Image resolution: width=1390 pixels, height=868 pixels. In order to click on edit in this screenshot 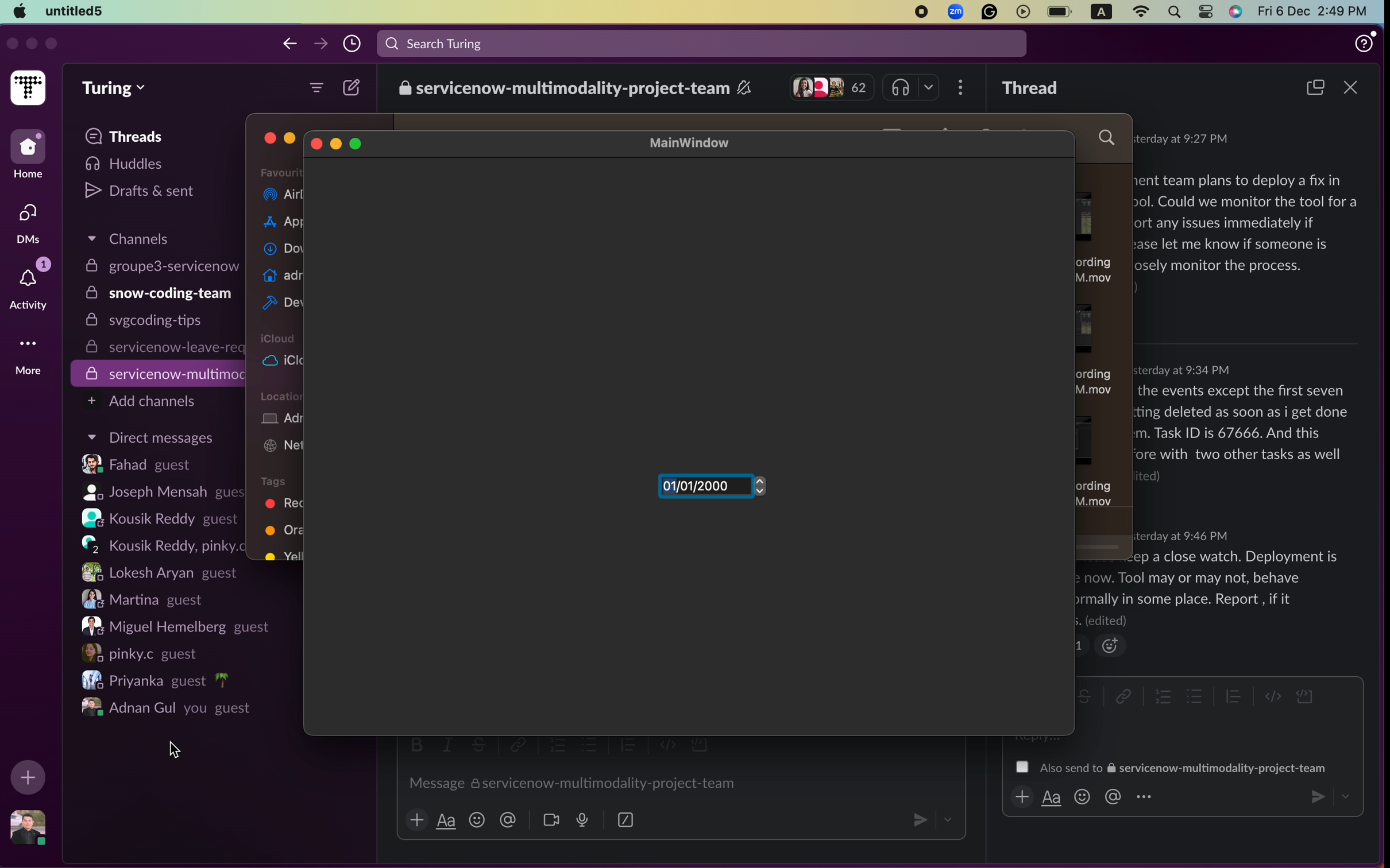, I will do `click(353, 86)`.